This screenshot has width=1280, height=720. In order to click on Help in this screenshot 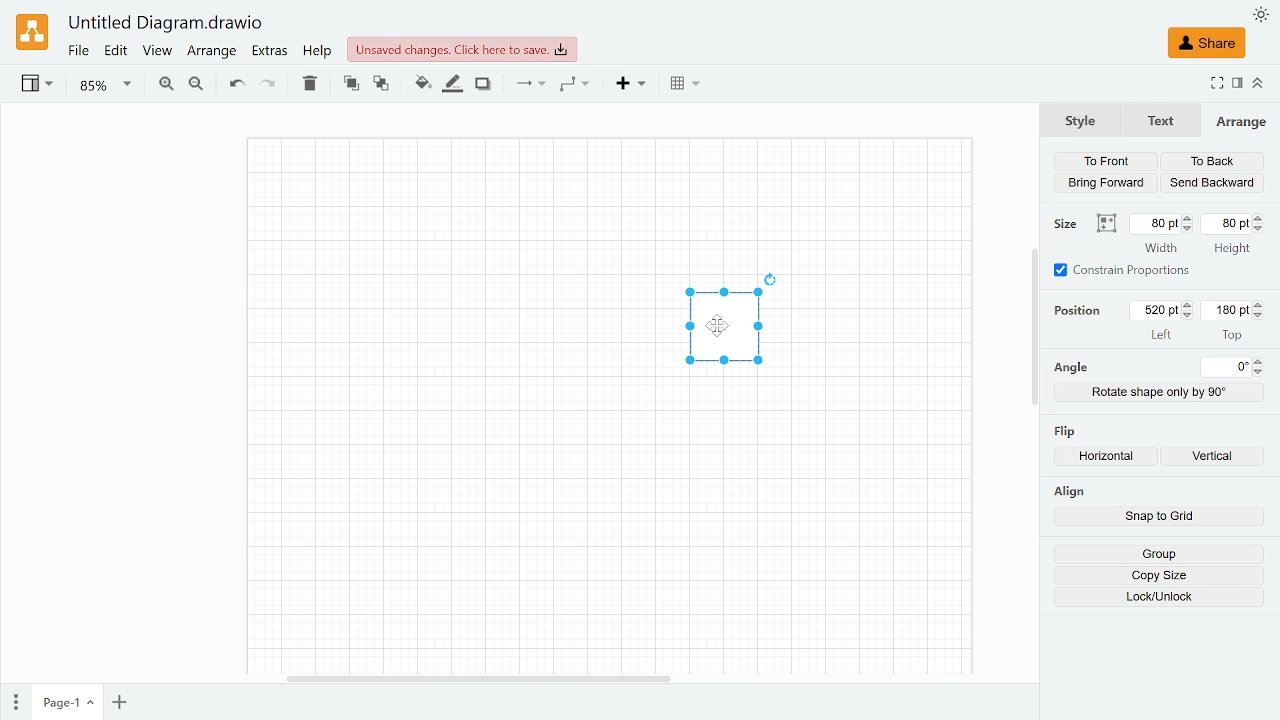, I will do `click(318, 51)`.